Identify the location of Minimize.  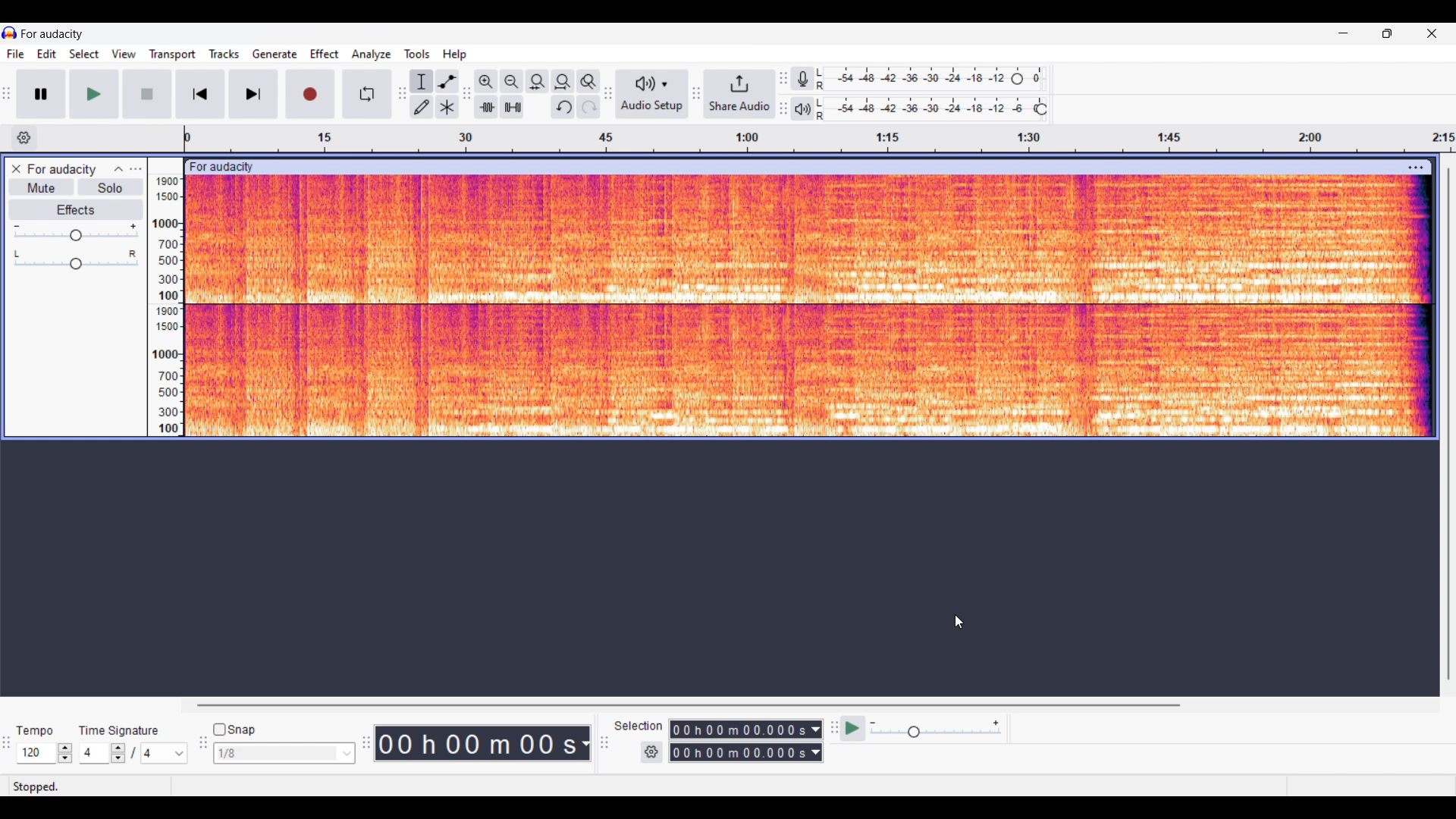
(1344, 33).